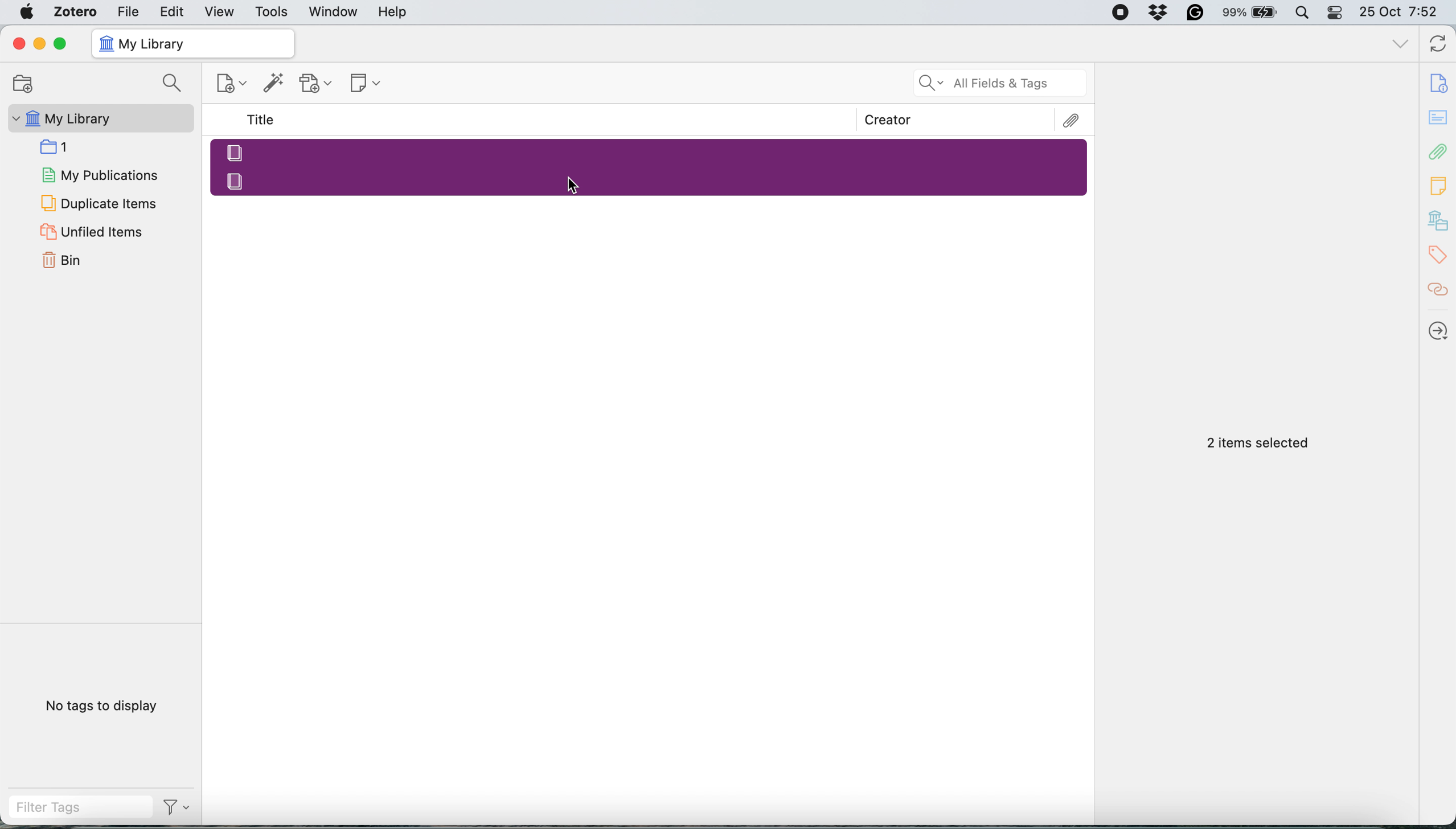 The image size is (1456, 829). I want to click on Filter Options, so click(181, 807).